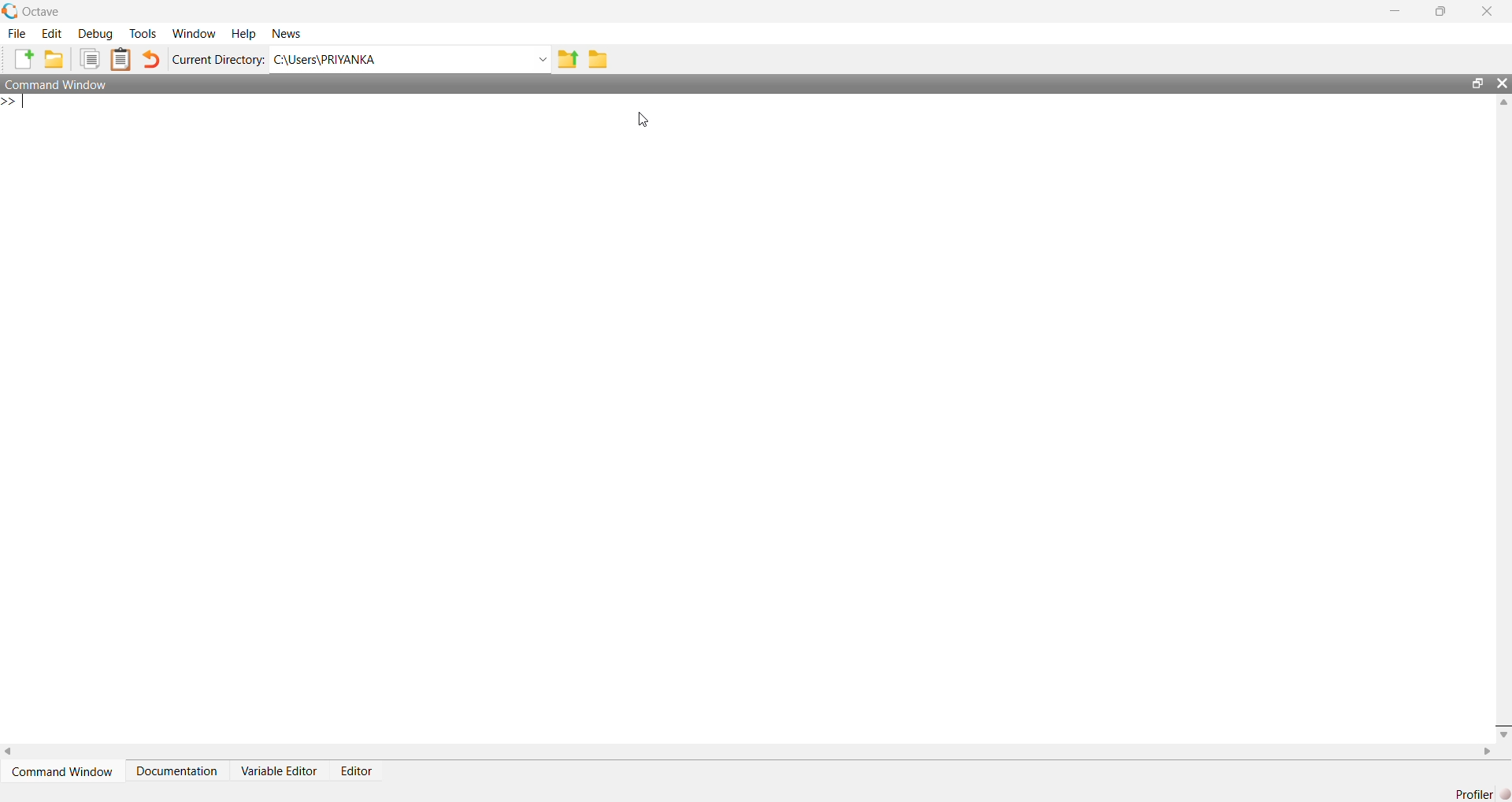  Describe the element at coordinates (24, 58) in the screenshot. I see `New script` at that location.